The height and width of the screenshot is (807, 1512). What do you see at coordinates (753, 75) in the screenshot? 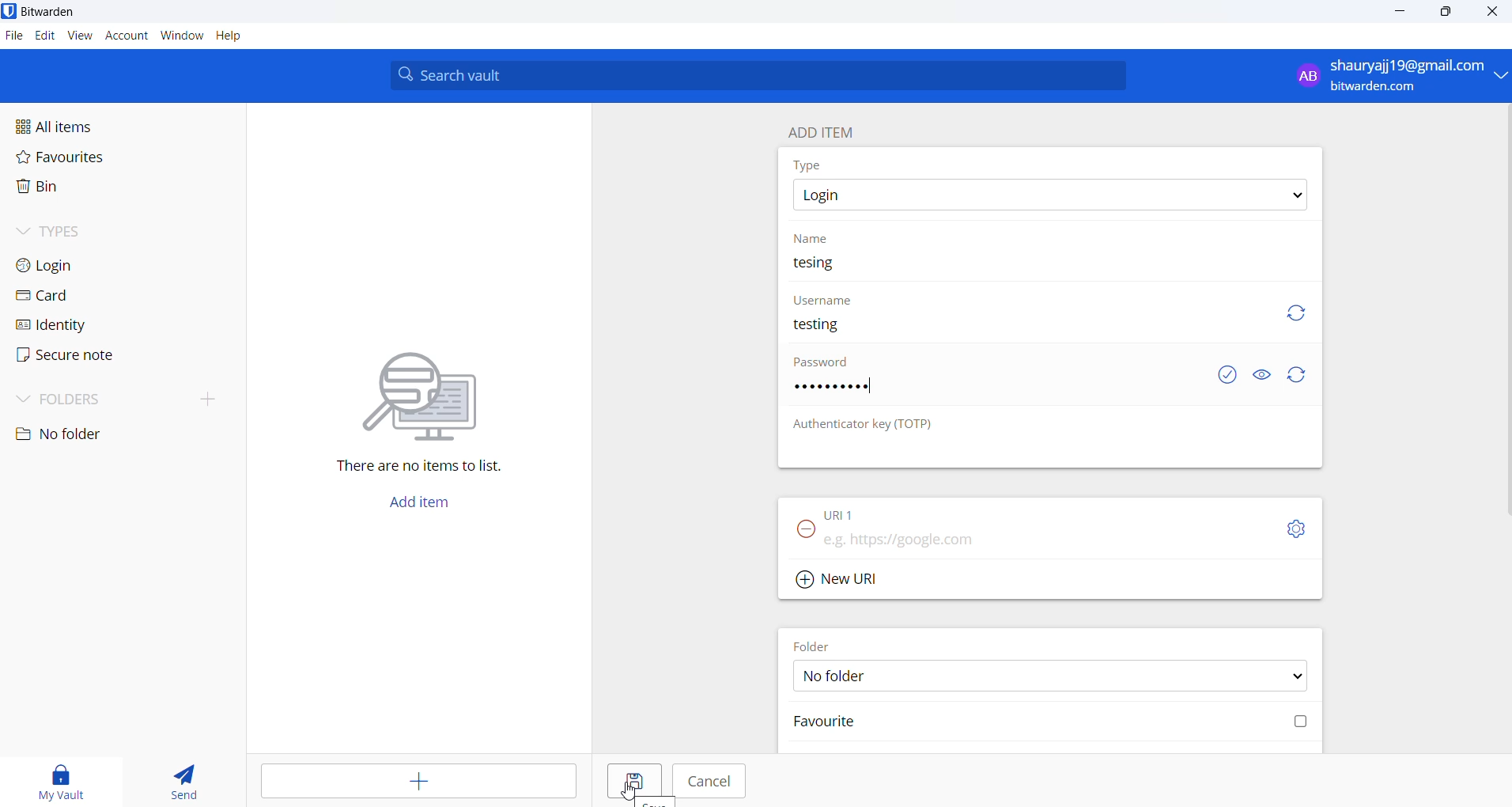
I see `Search vault input box` at bounding box center [753, 75].